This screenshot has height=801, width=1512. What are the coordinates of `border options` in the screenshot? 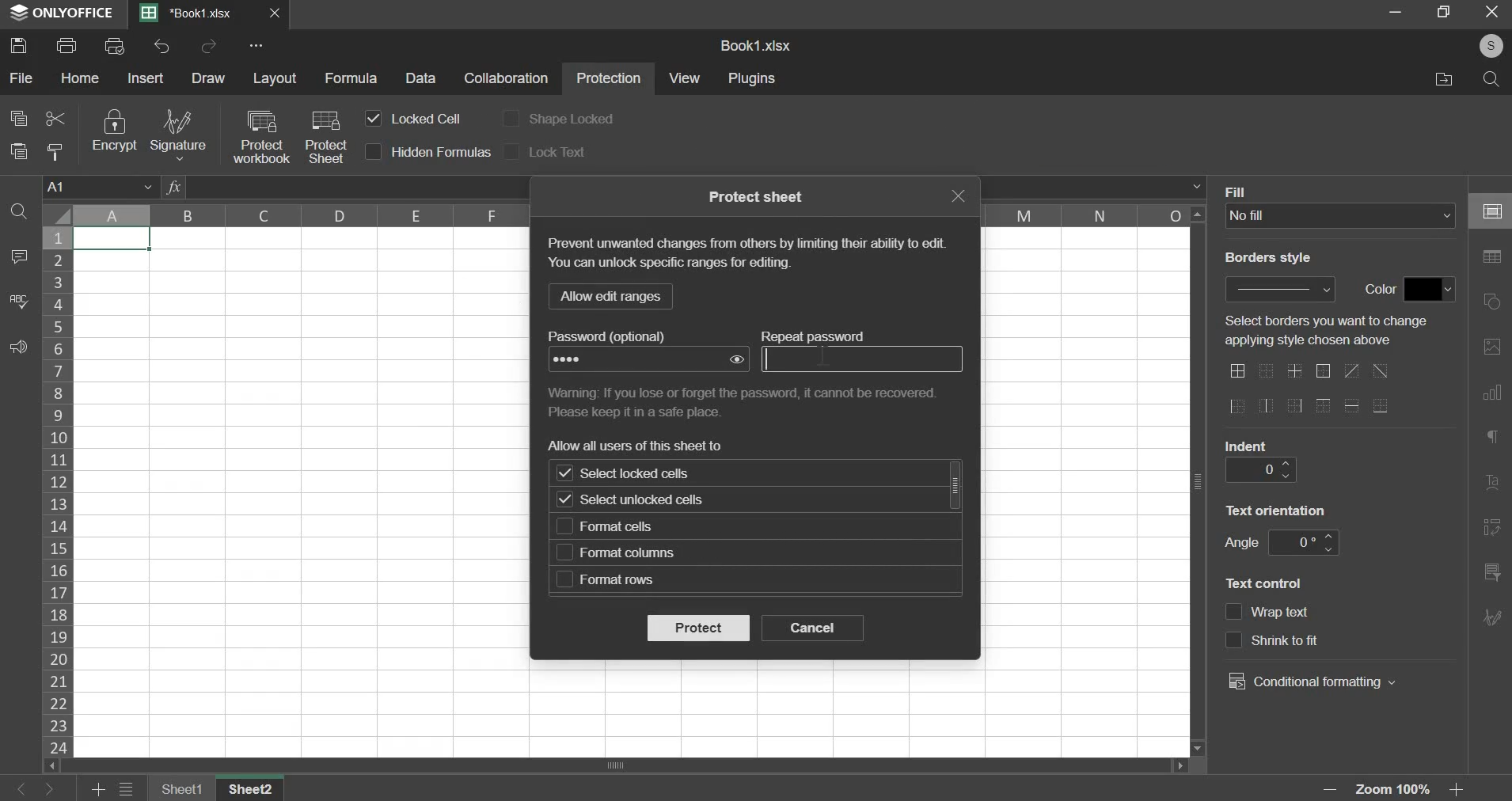 It's located at (1380, 406).